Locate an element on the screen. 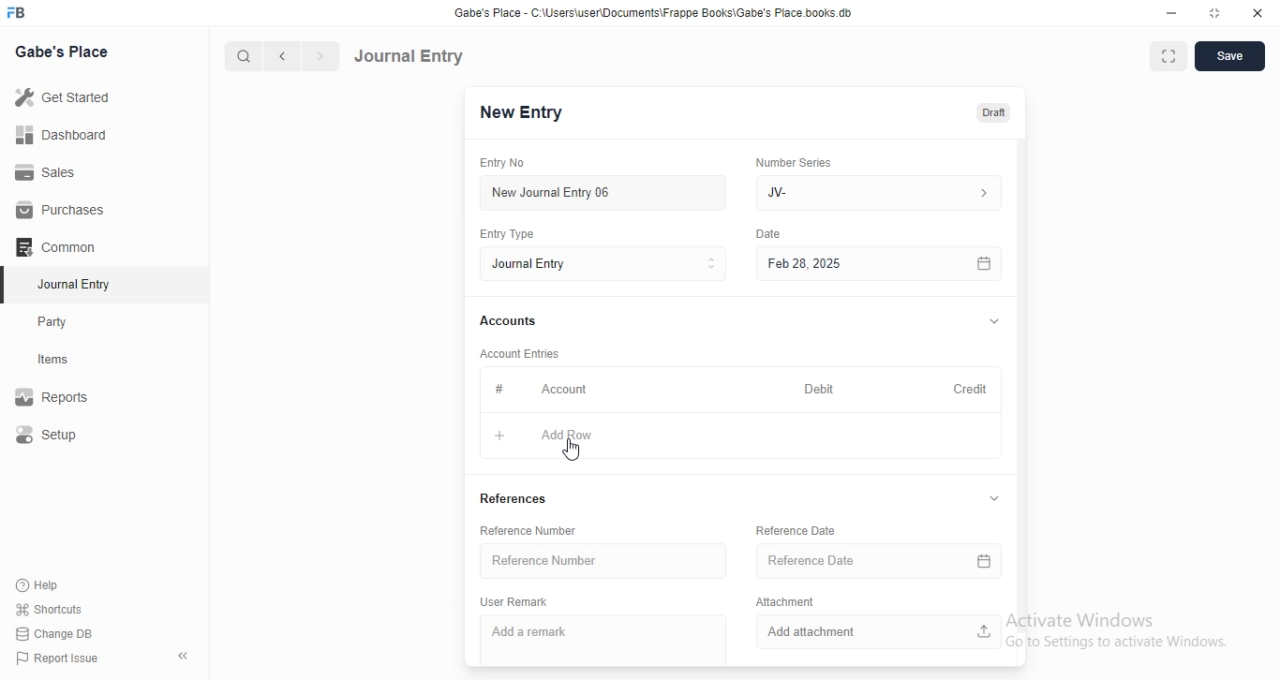 The width and height of the screenshot is (1280, 680). Reference Date is located at coordinates (856, 561).